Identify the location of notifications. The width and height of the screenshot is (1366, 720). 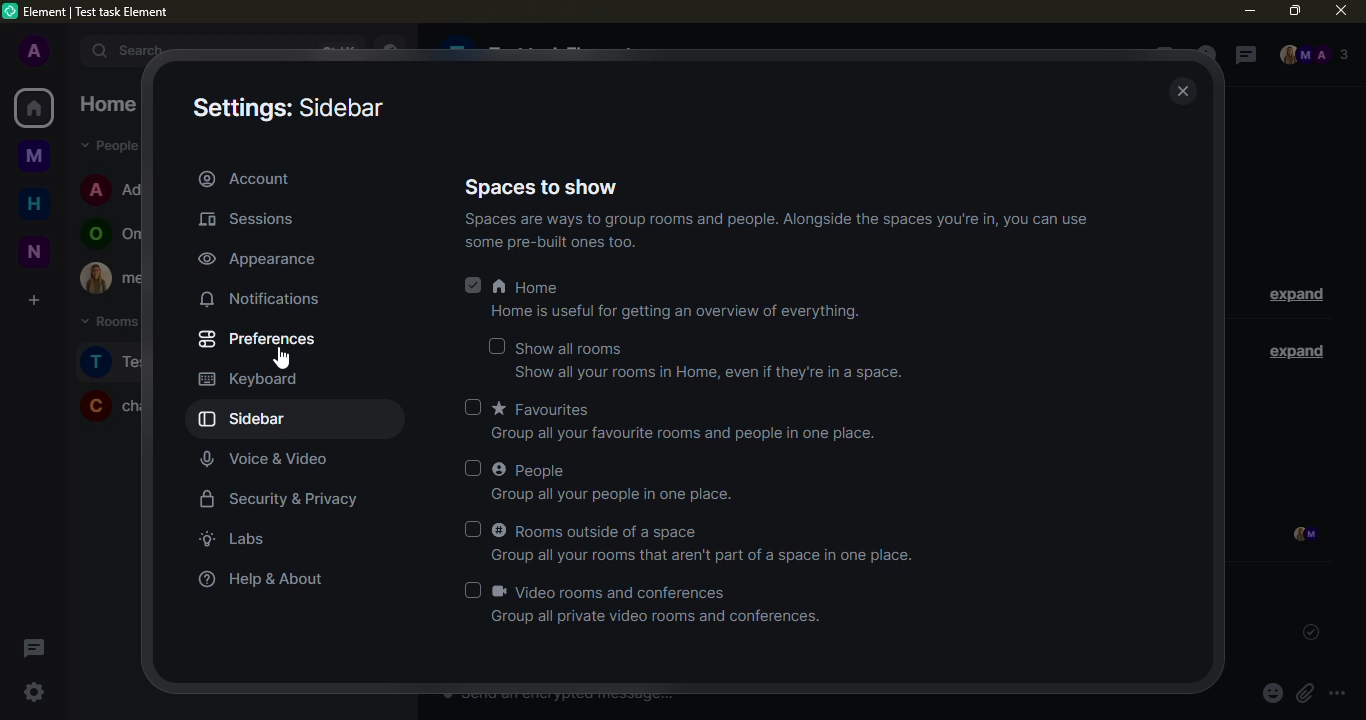
(262, 298).